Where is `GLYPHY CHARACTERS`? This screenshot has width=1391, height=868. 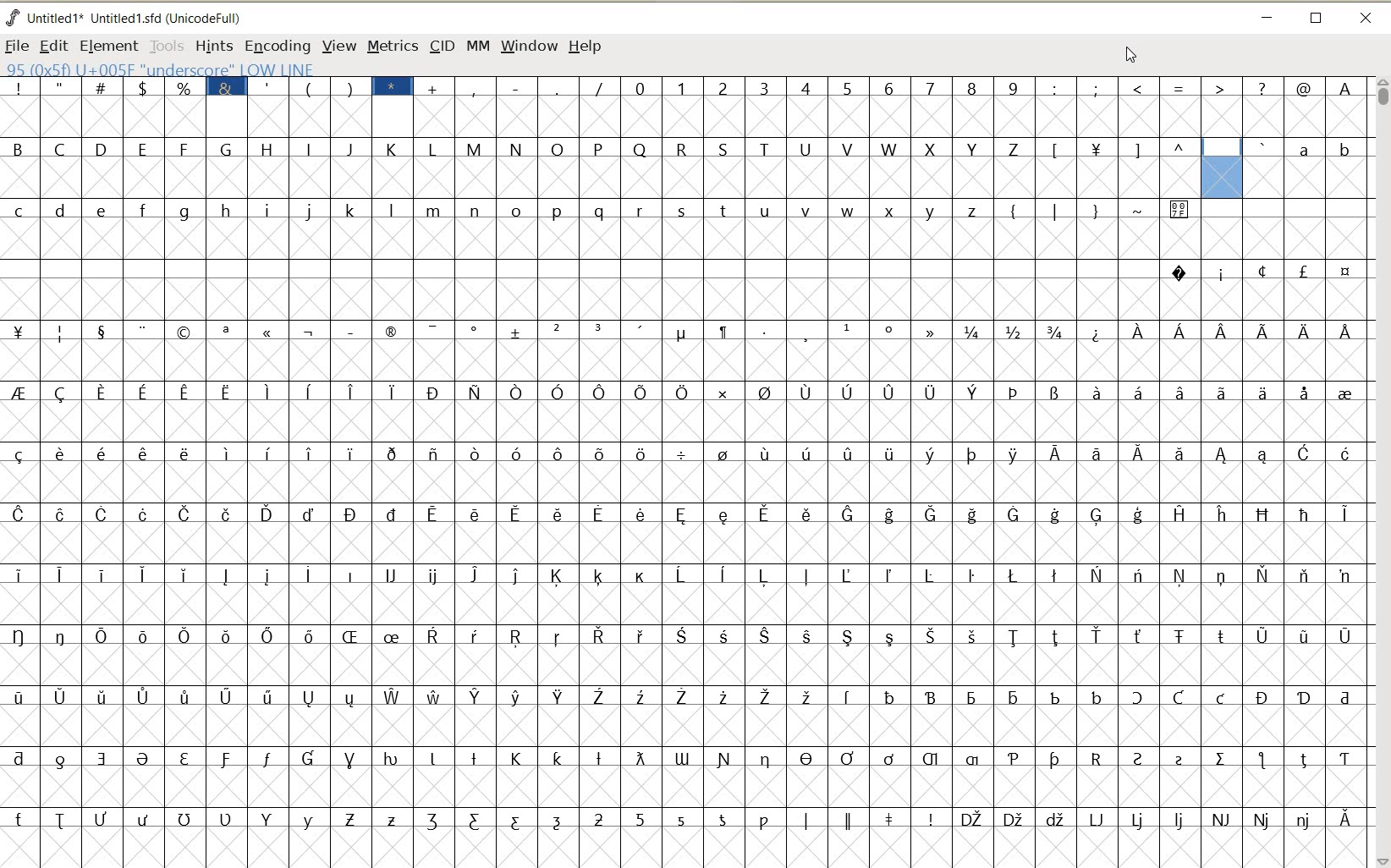 GLYPHY CHARACTERS is located at coordinates (1284, 524).